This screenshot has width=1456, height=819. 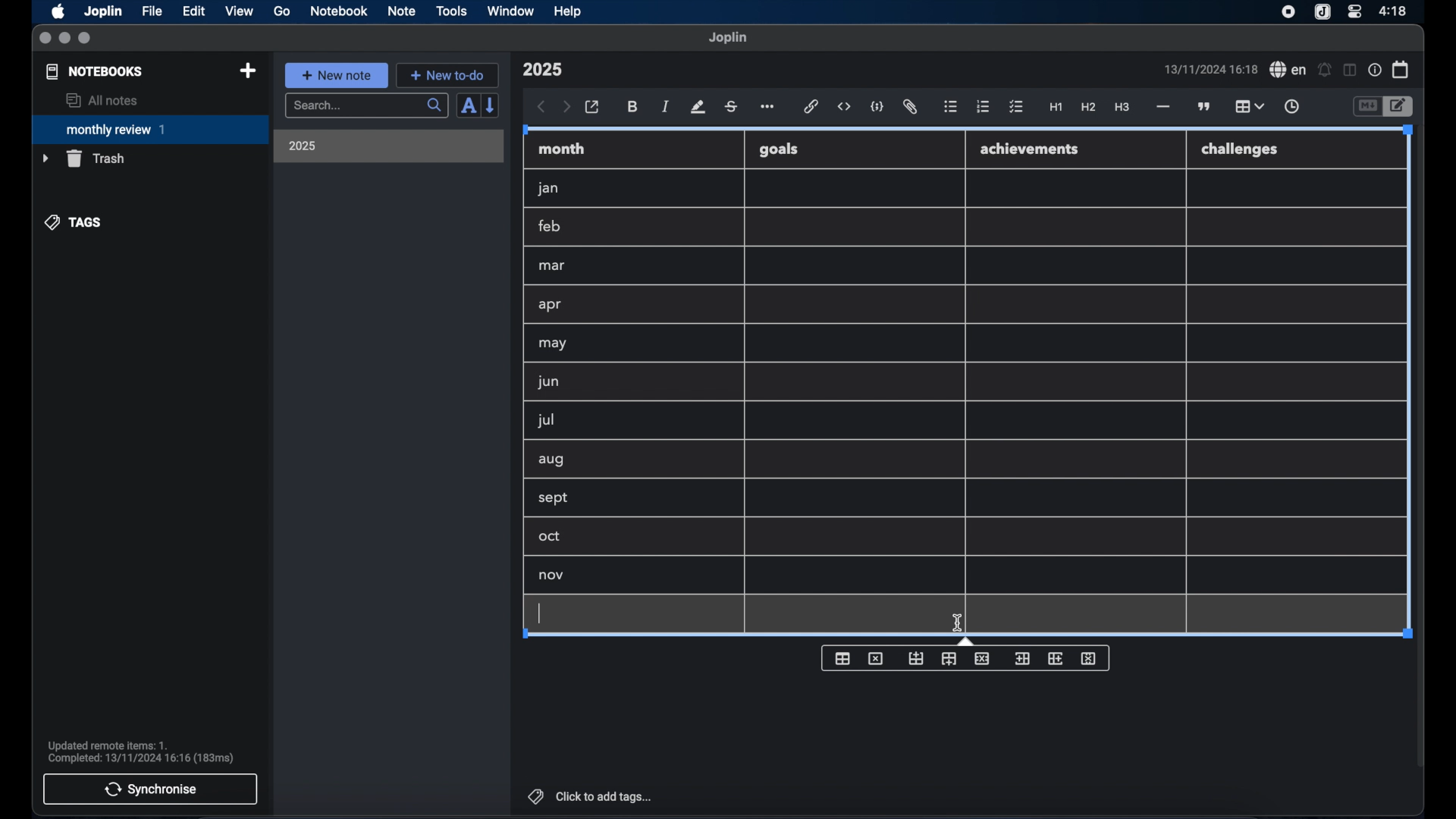 I want to click on trash, so click(x=83, y=158).